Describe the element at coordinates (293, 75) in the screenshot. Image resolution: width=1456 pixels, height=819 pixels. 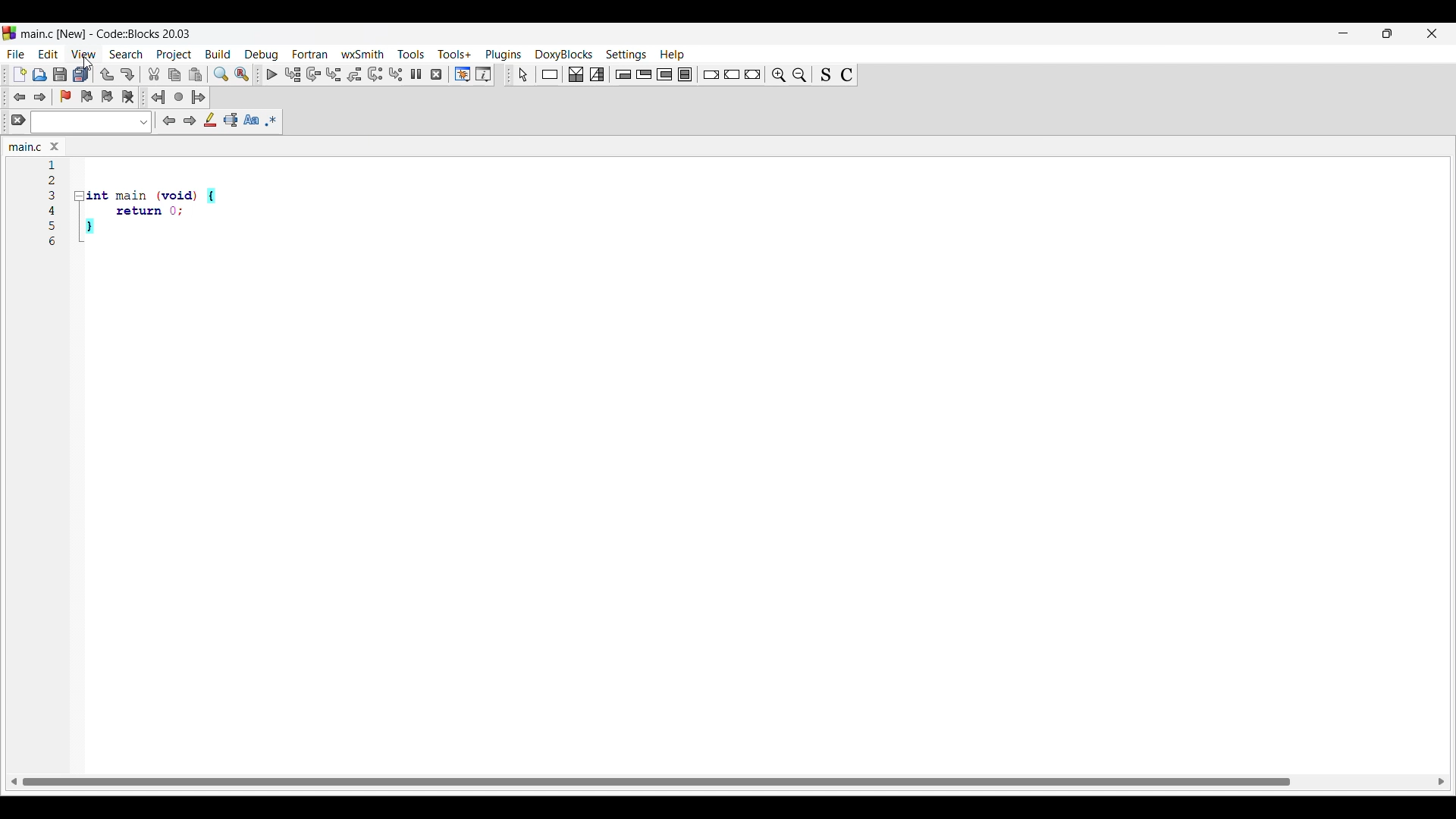
I see `Run to cursor` at that location.